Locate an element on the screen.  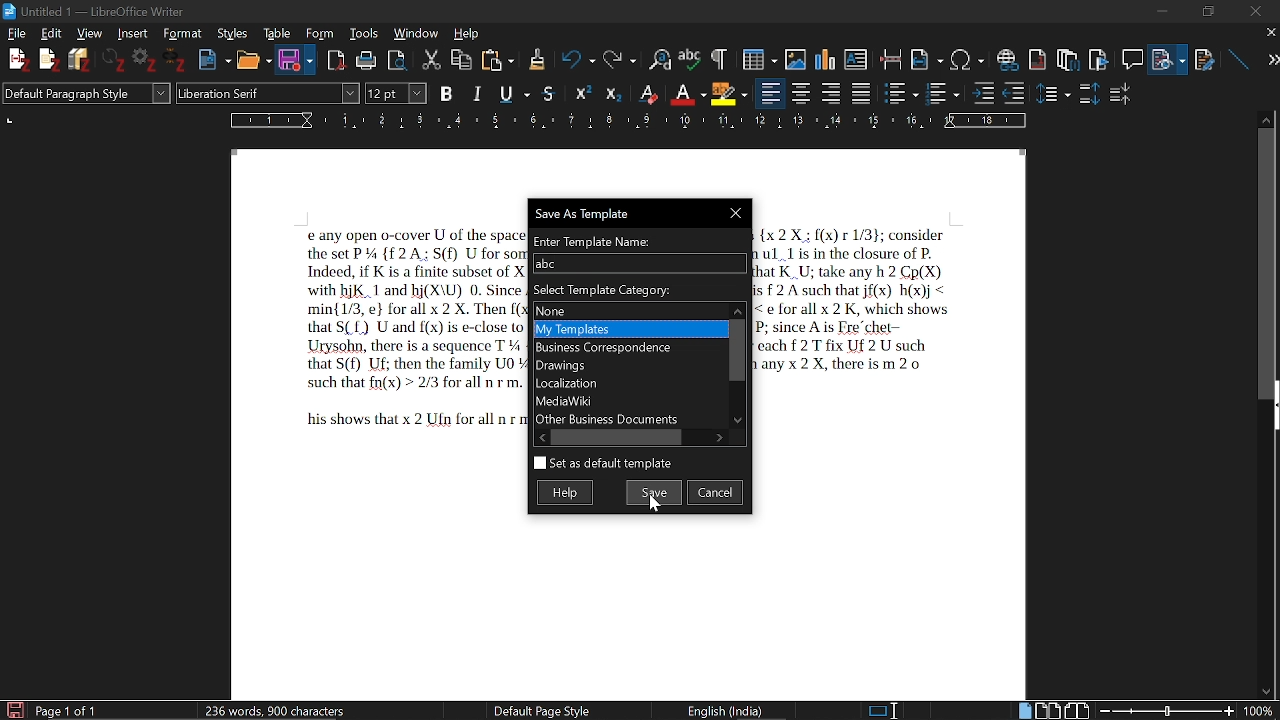
Insert comment is located at coordinates (1131, 55).